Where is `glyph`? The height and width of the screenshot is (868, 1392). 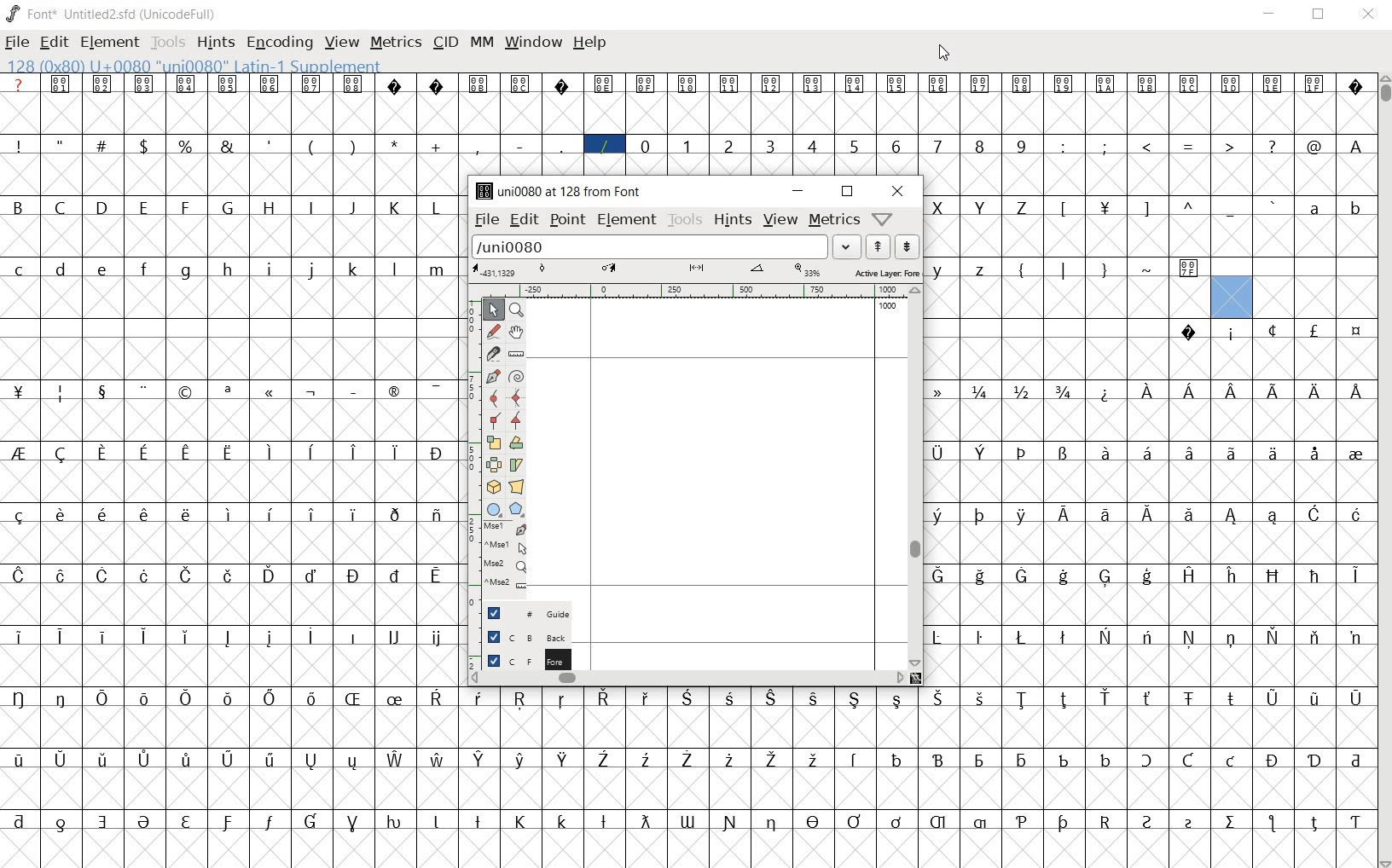 glyph is located at coordinates (230, 514).